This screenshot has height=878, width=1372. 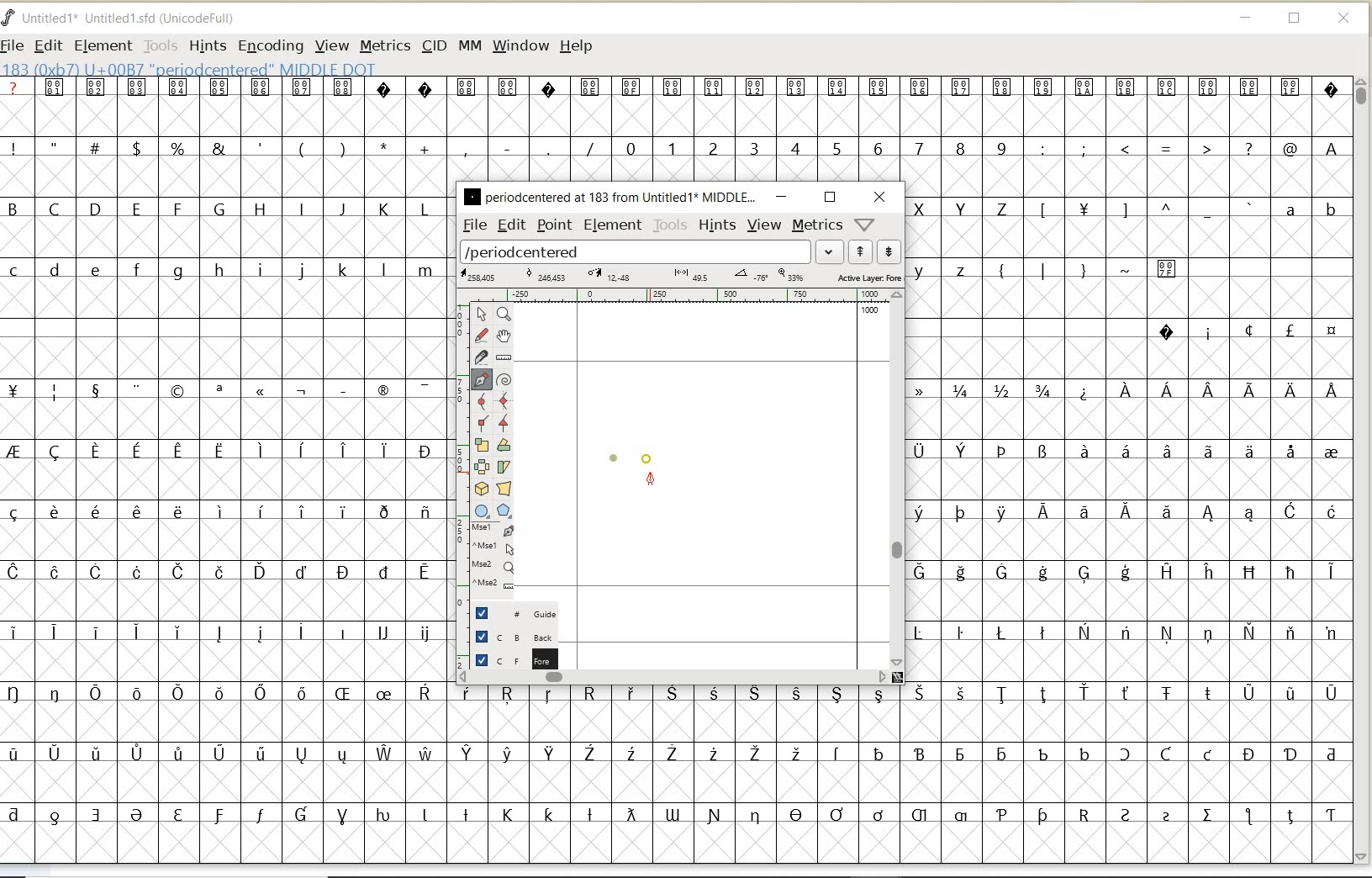 What do you see at coordinates (481, 488) in the screenshot?
I see `rotate the selection in 3D and project back to plane` at bounding box center [481, 488].